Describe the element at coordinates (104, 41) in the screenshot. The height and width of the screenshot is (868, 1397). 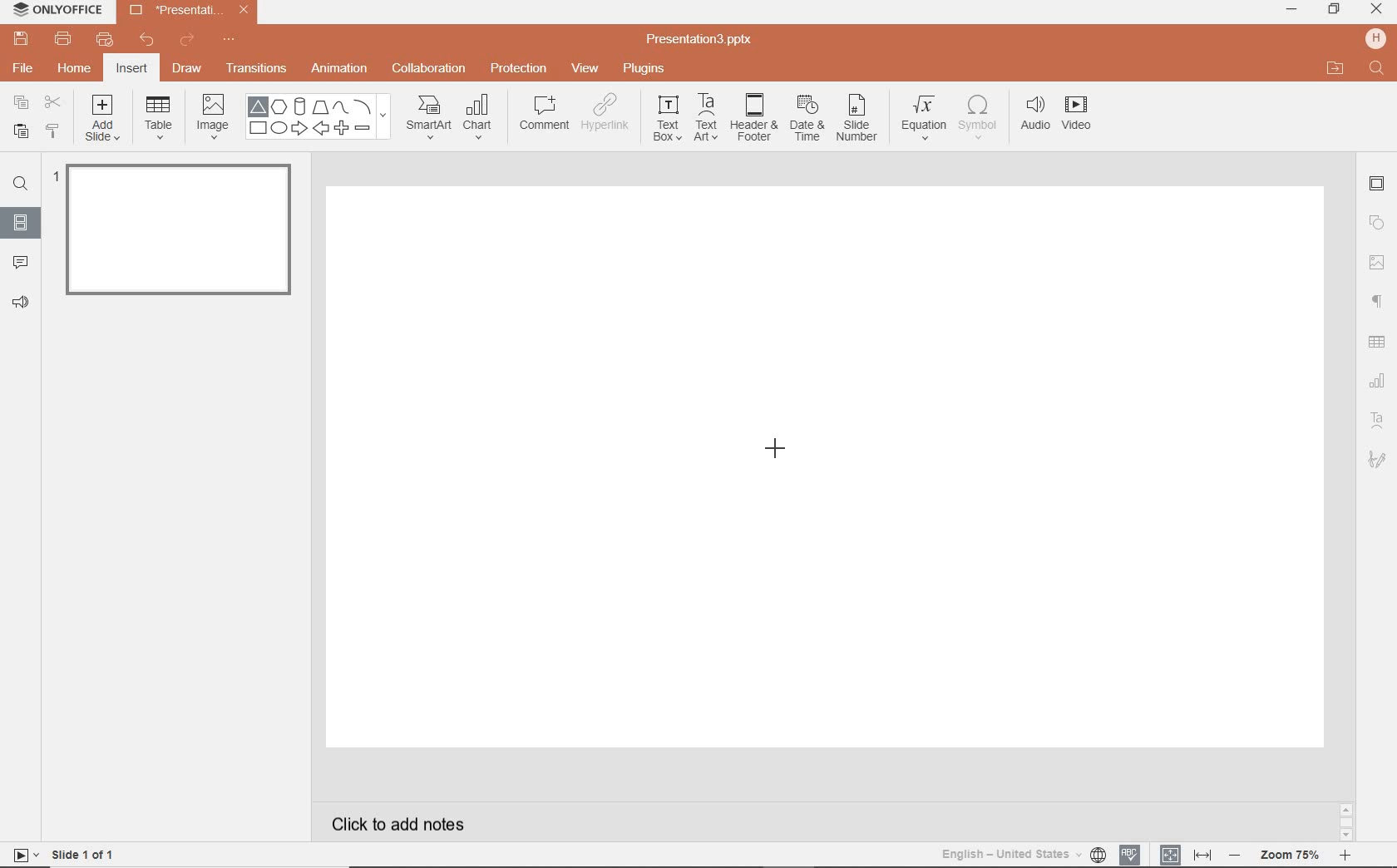
I see `QUICK PRINT` at that location.